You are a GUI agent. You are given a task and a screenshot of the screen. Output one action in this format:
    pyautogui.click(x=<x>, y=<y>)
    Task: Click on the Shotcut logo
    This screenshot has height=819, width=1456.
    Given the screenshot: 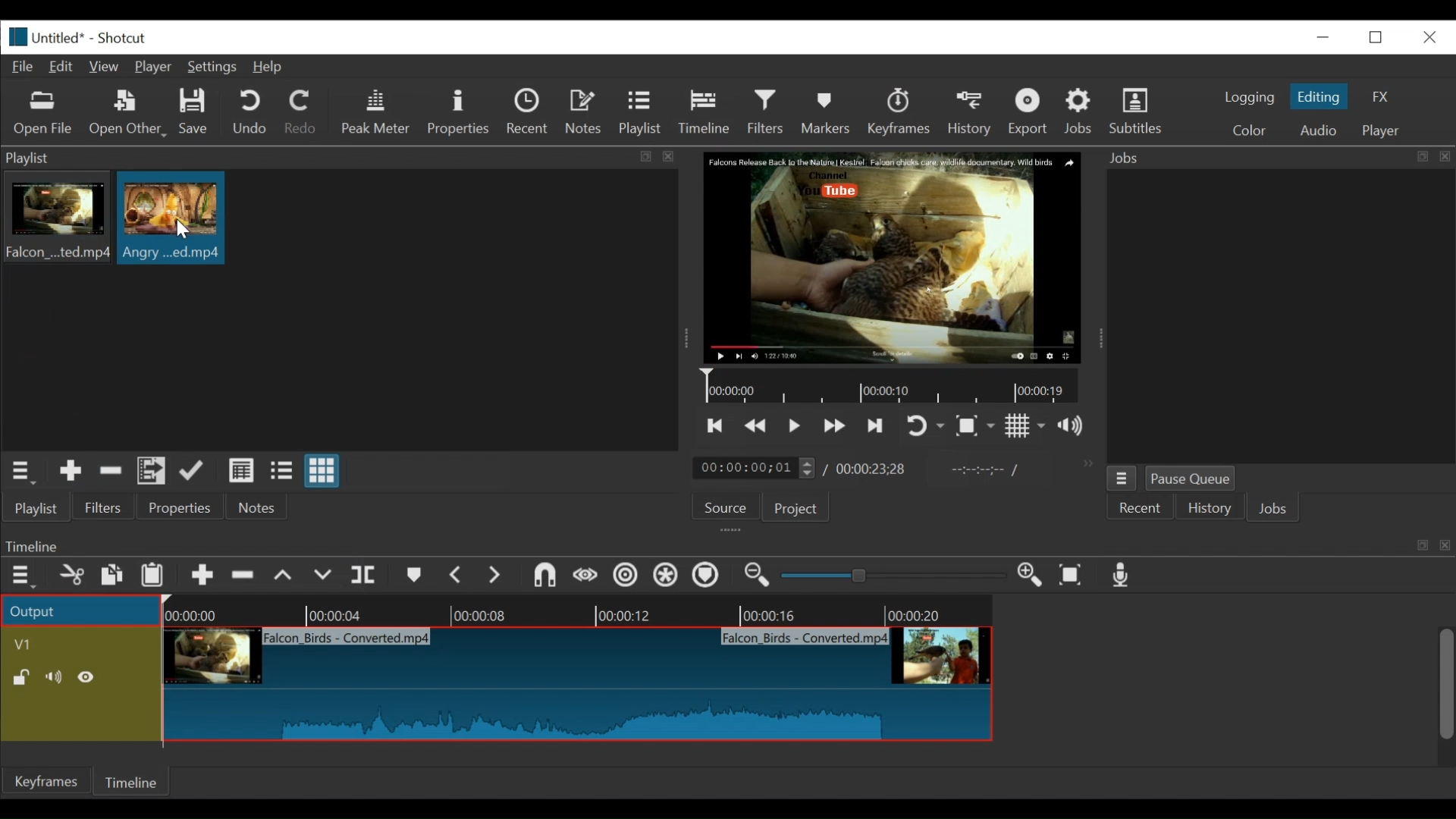 What is the action you would take?
    pyautogui.click(x=14, y=35)
    